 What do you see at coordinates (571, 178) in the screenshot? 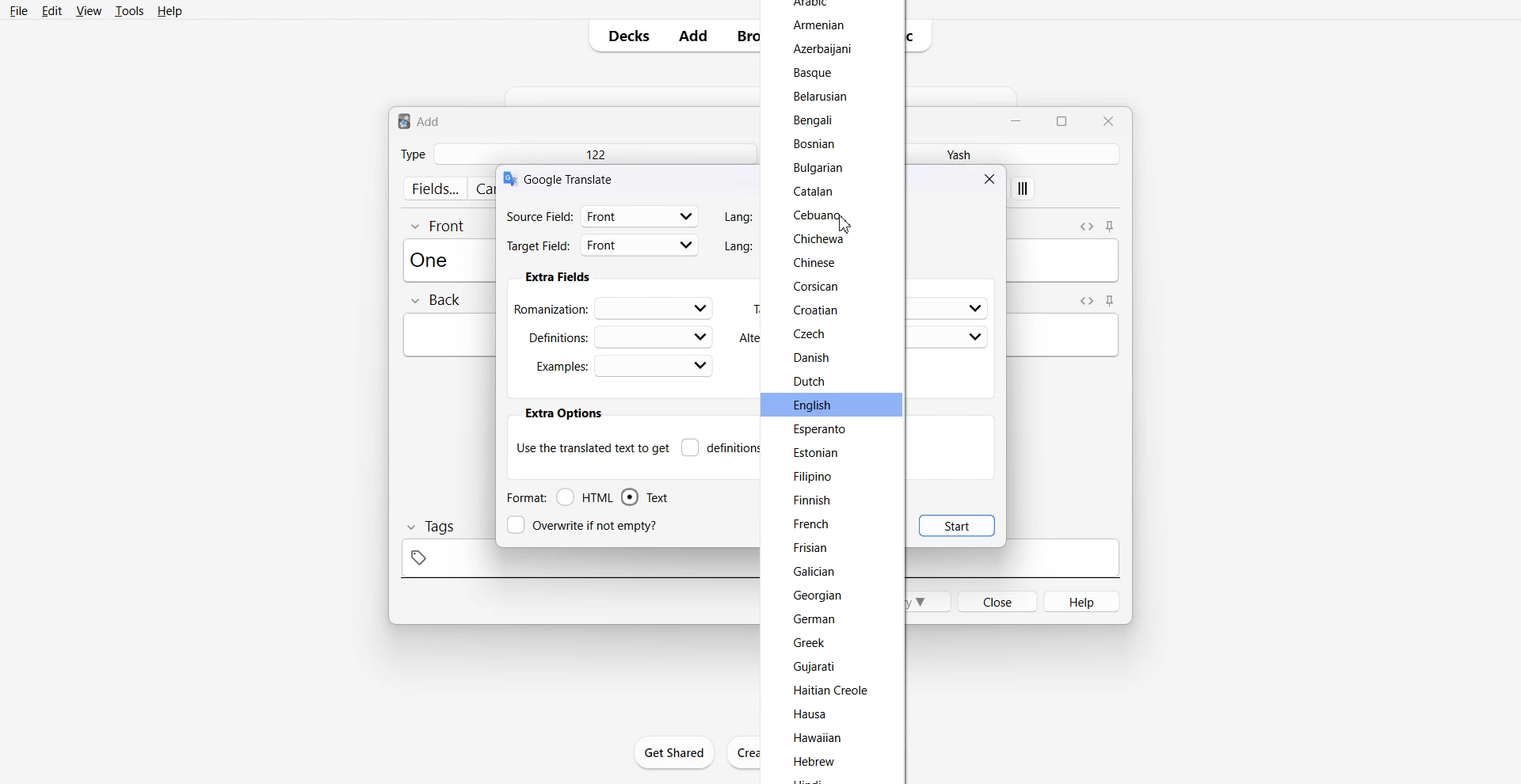
I see `Text` at bounding box center [571, 178].